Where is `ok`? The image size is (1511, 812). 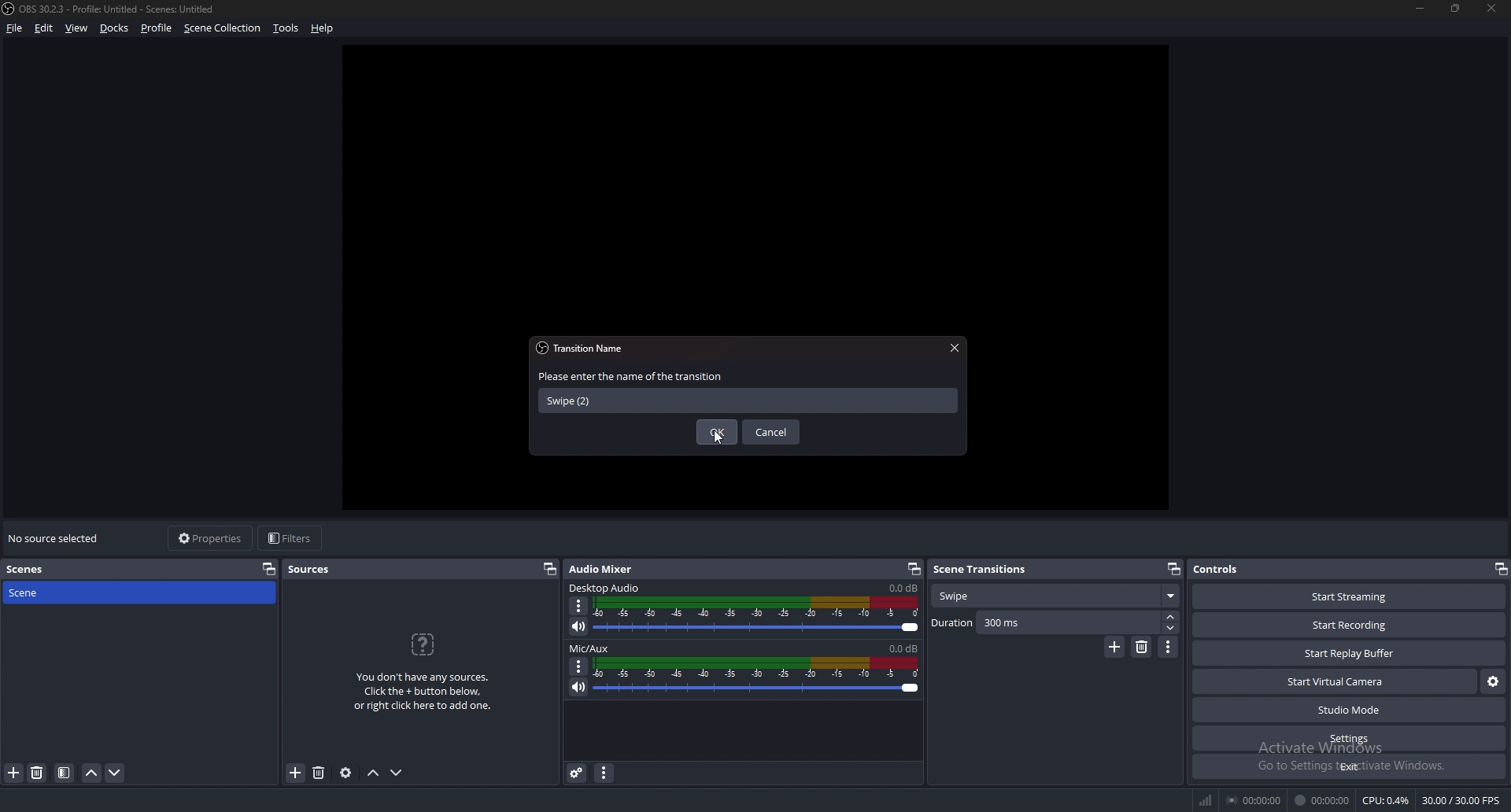 ok is located at coordinates (716, 433).